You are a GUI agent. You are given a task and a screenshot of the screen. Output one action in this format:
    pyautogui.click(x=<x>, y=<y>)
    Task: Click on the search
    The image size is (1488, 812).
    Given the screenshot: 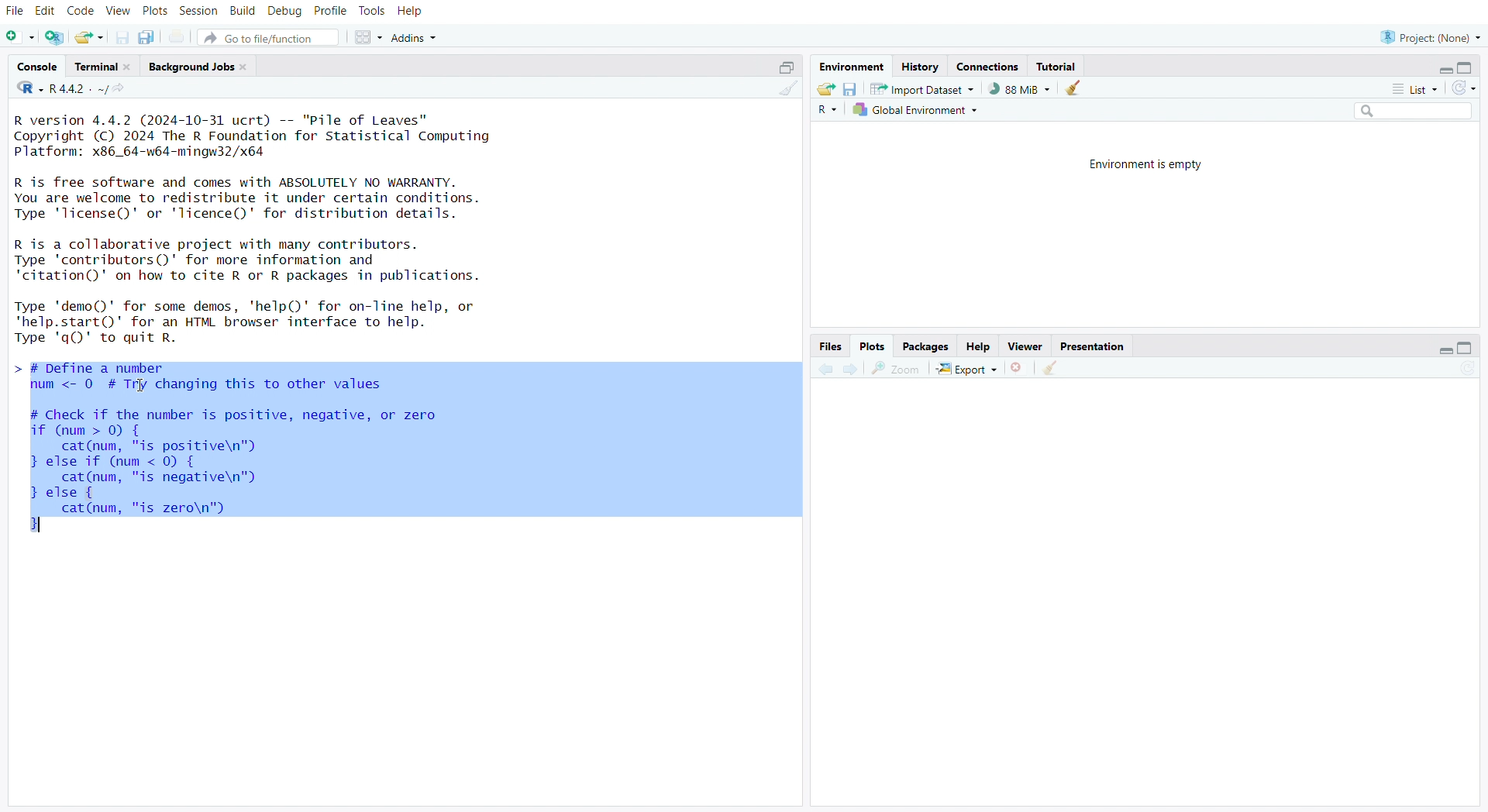 What is the action you would take?
    pyautogui.click(x=1406, y=112)
    